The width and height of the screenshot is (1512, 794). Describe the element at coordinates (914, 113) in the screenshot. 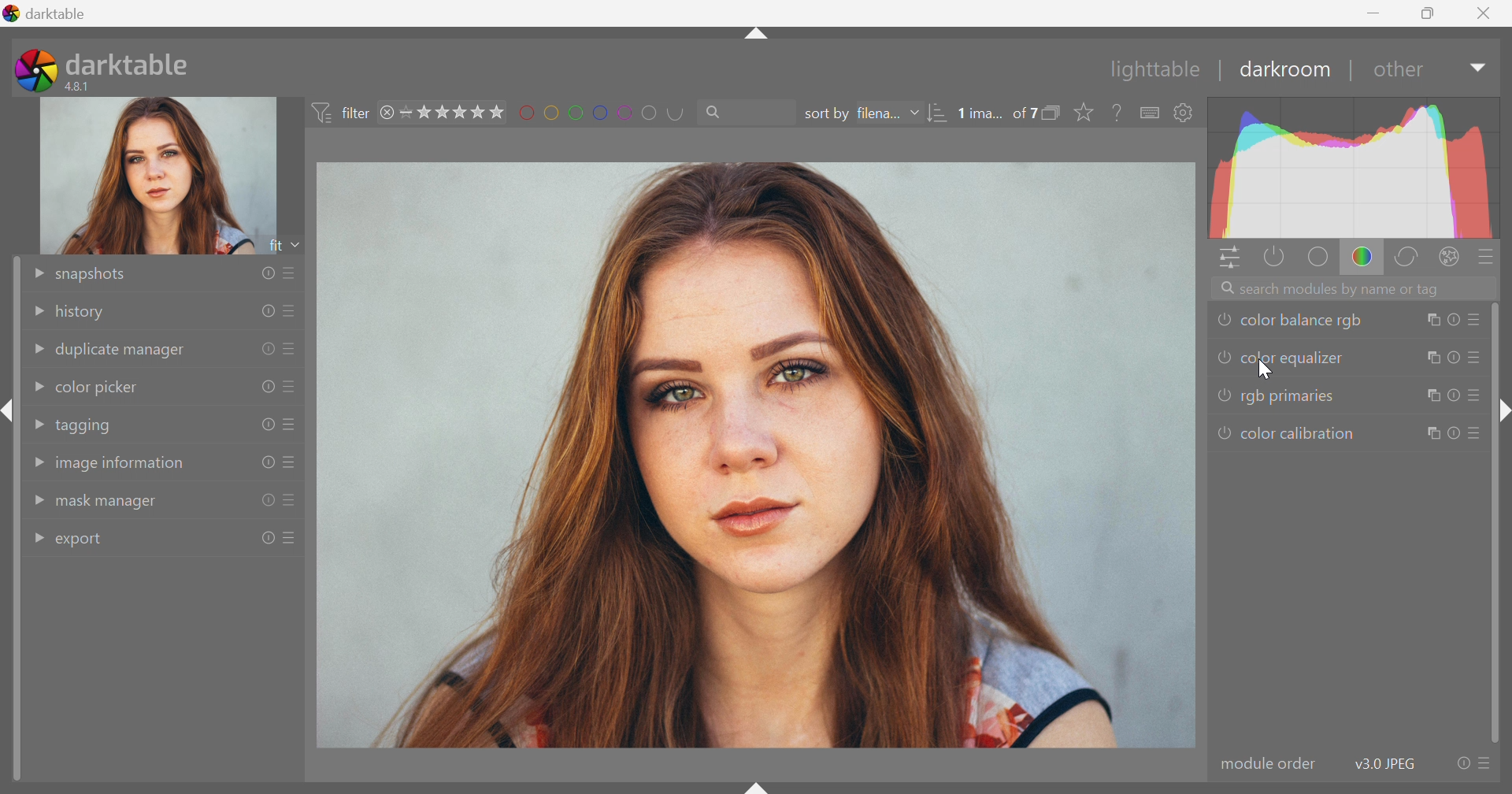

I see `Drop Down` at that location.